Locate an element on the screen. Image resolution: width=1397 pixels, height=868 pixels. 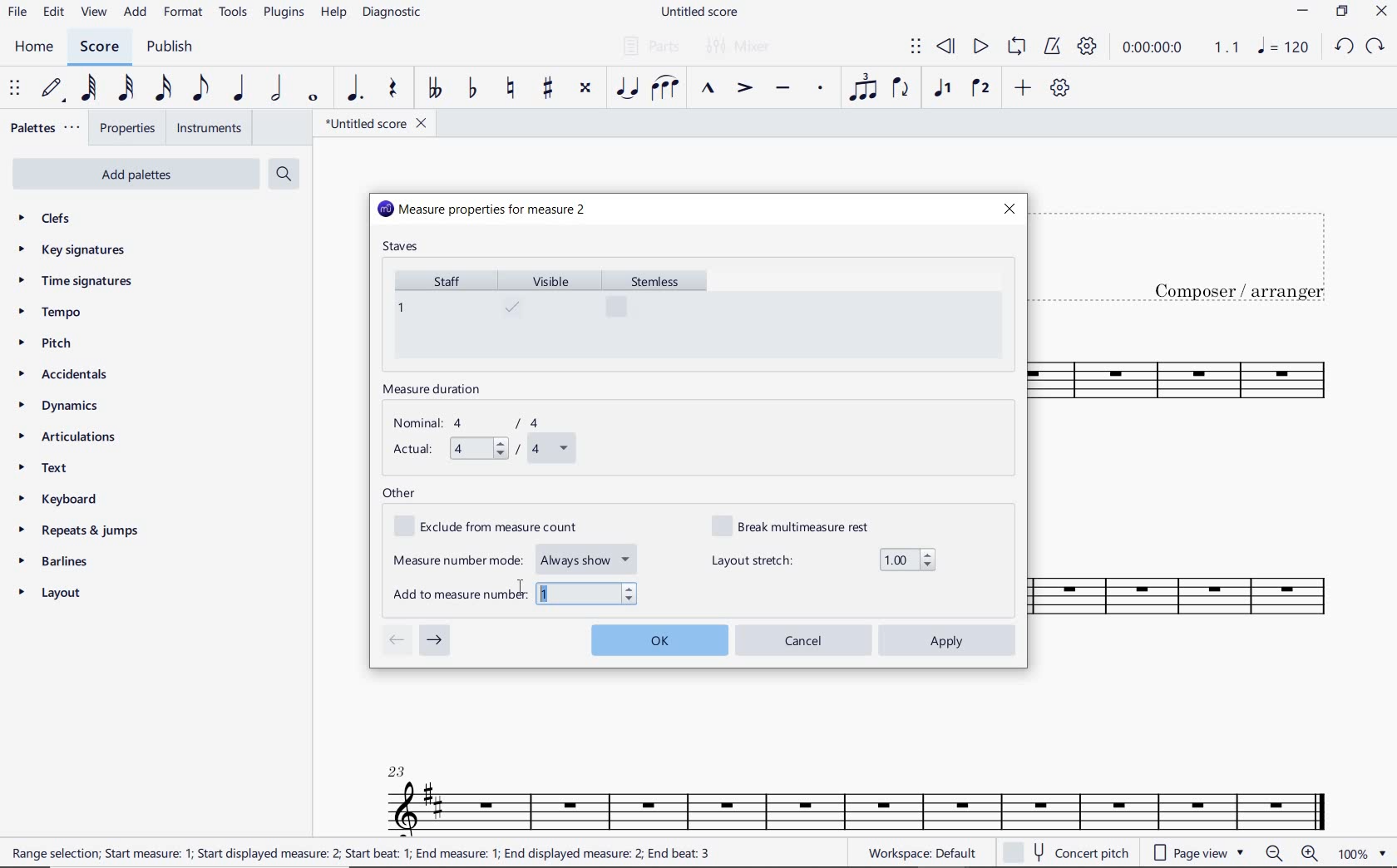
actual is located at coordinates (481, 450).